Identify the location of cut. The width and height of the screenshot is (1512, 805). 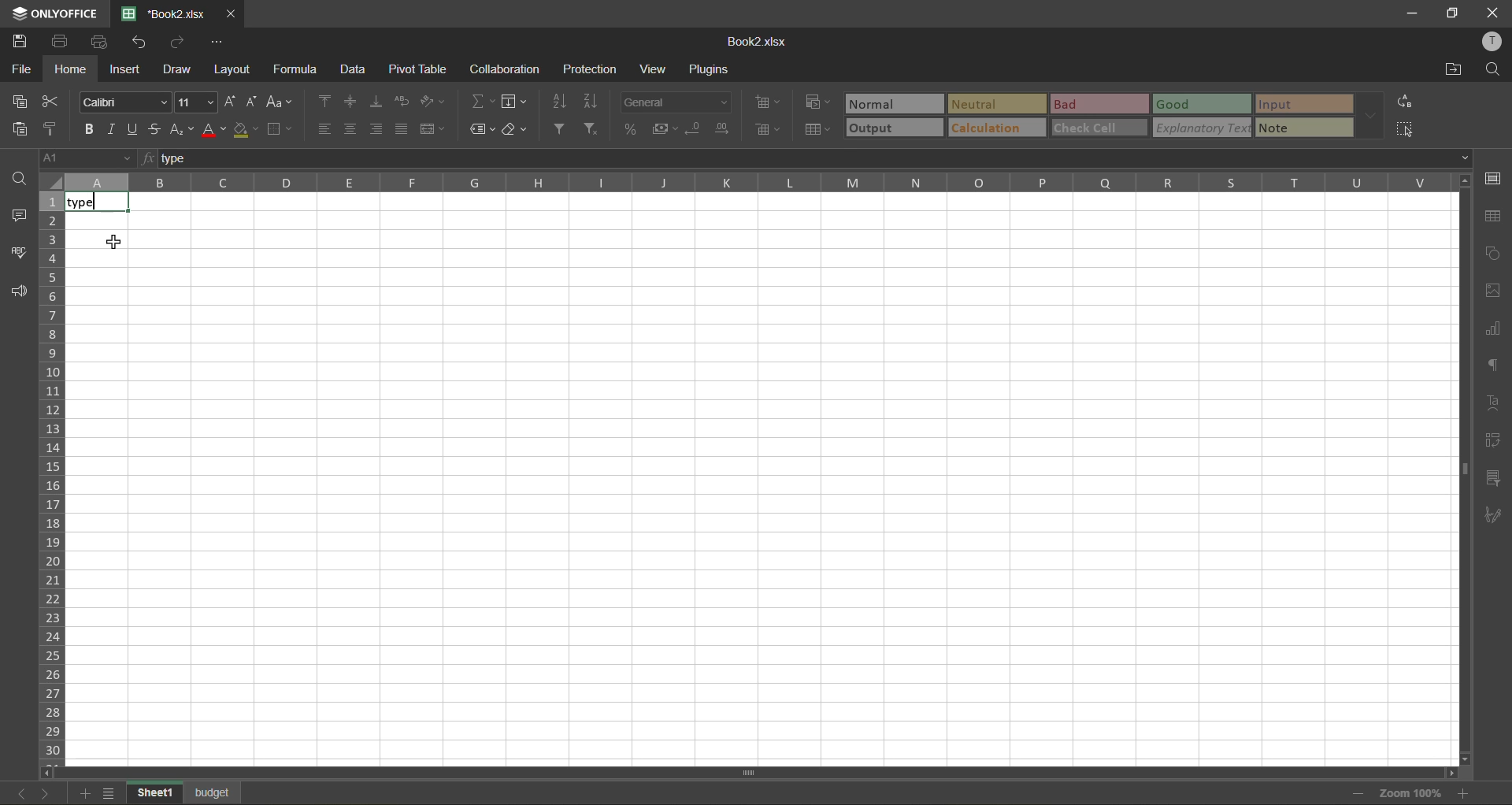
(48, 102).